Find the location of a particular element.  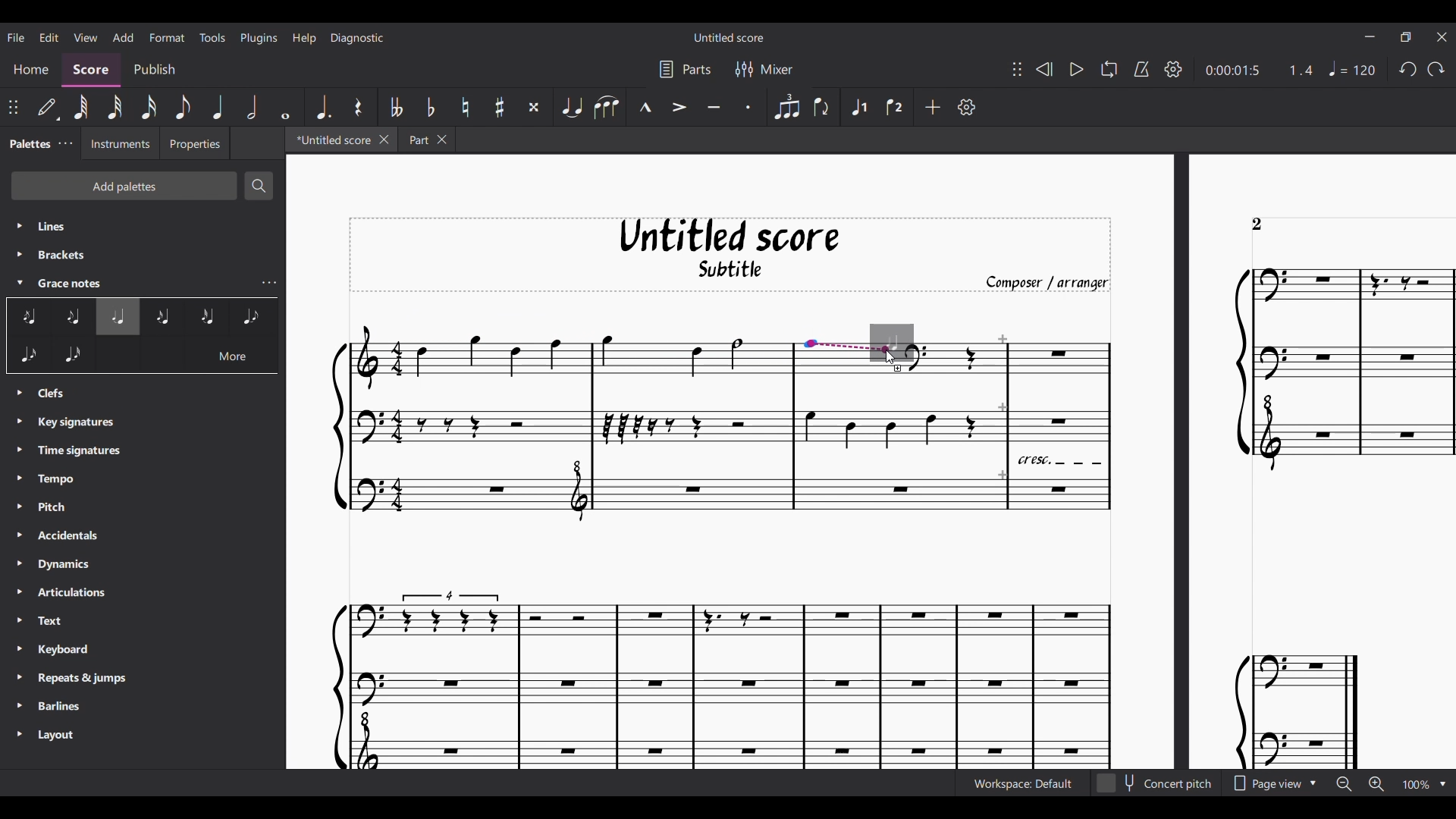

16th note is located at coordinates (148, 108).